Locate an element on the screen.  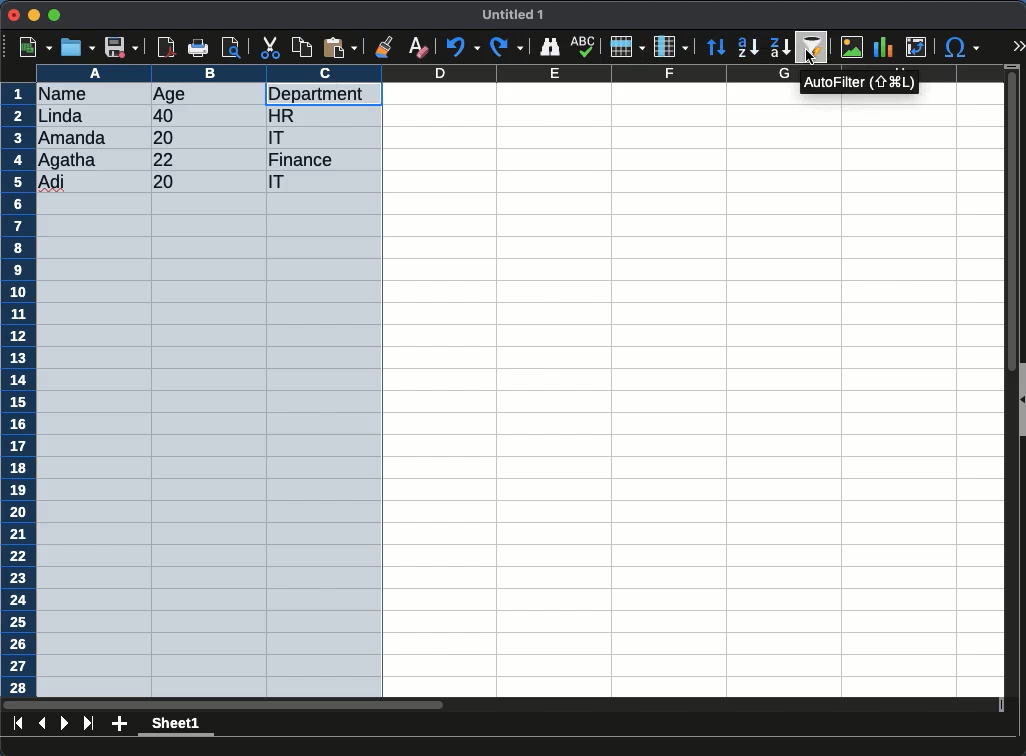
close is located at coordinates (14, 16).